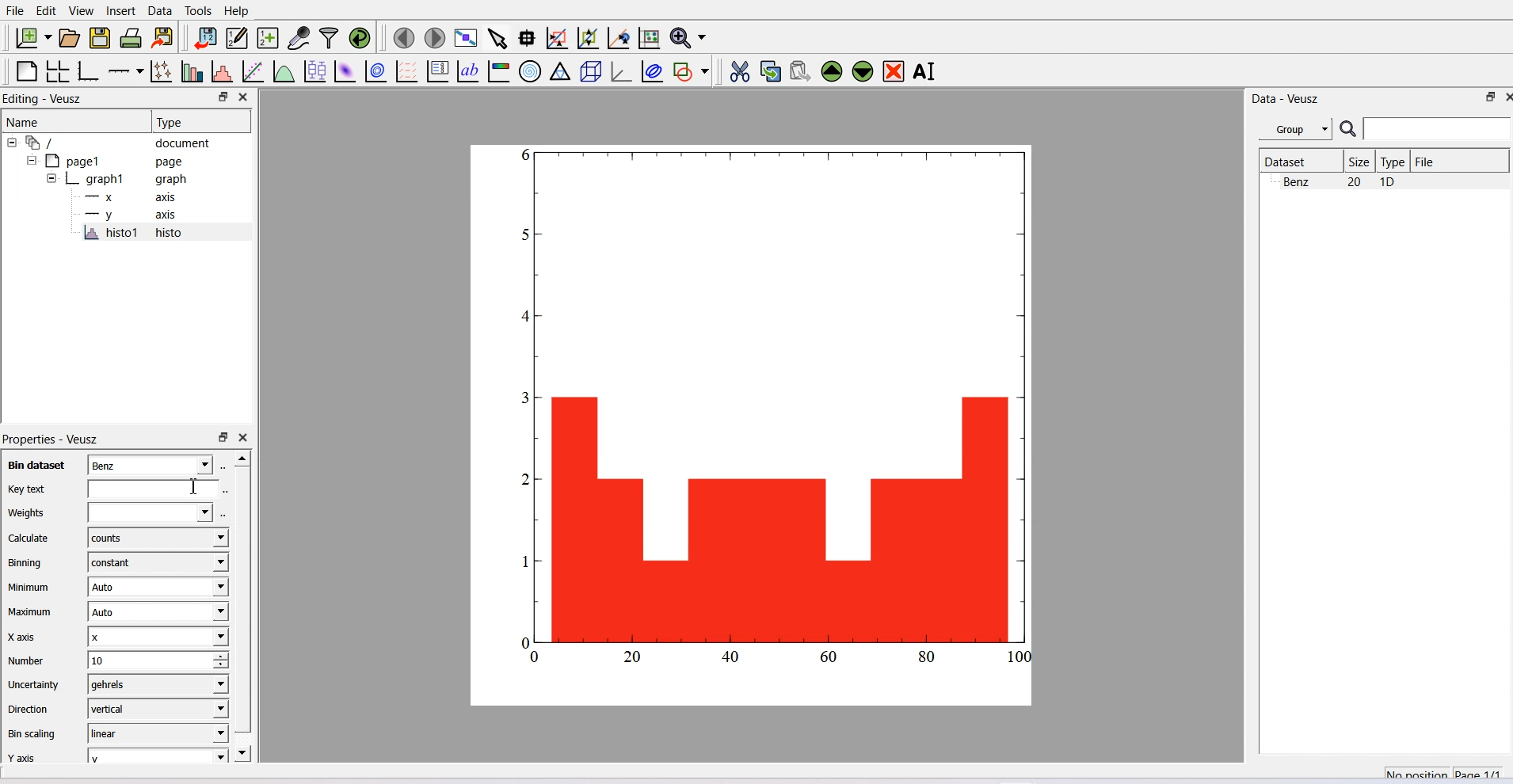 The width and height of the screenshot is (1513, 784). What do you see at coordinates (15, 10) in the screenshot?
I see `File` at bounding box center [15, 10].